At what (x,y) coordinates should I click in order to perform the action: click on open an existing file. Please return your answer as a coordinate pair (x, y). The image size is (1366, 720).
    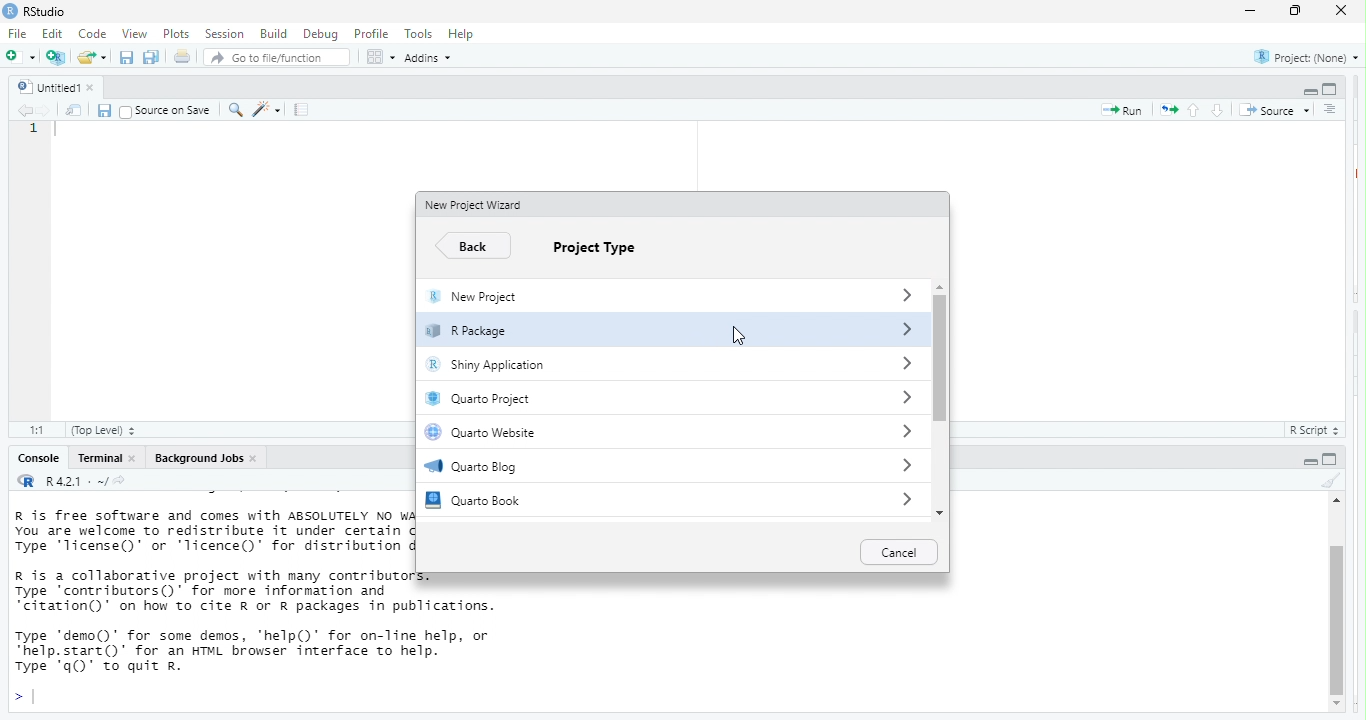
    Looking at the image, I should click on (92, 56).